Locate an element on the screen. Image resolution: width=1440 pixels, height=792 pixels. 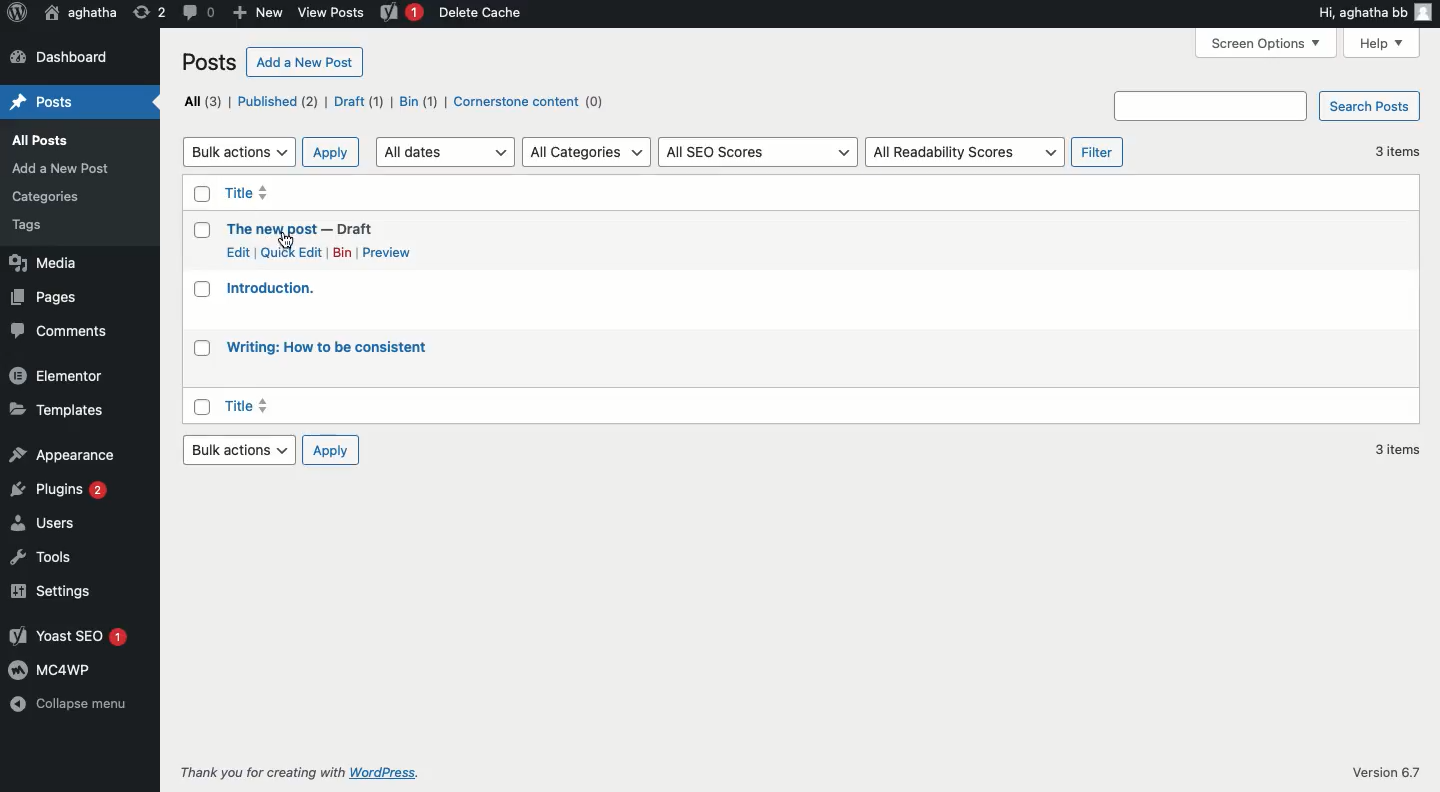
Preview is located at coordinates (389, 252).